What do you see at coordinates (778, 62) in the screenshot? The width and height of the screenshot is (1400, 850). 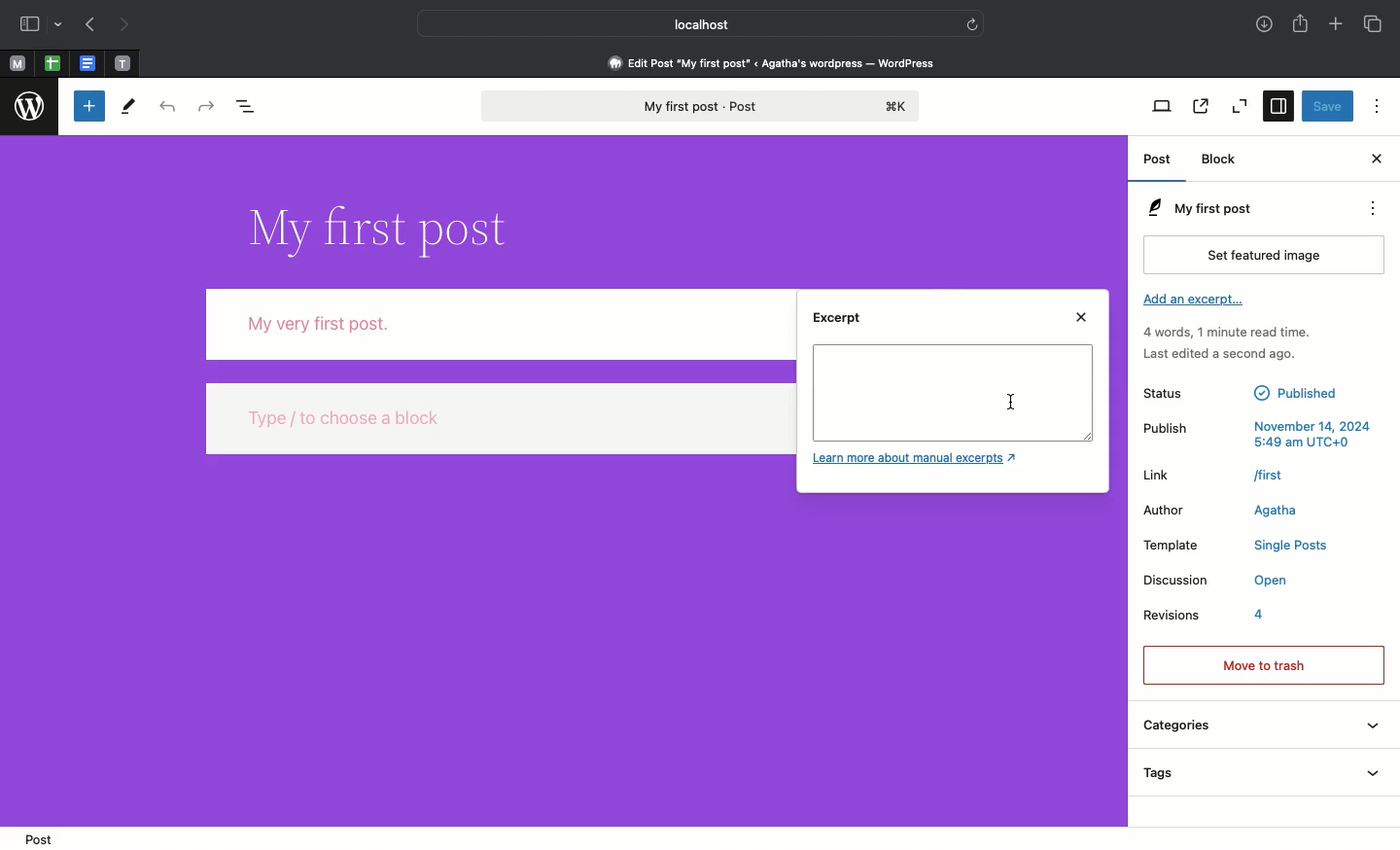 I see `Edit Post "My first post” « Agatha's wordpress — WordPress` at bounding box center [778, 62].